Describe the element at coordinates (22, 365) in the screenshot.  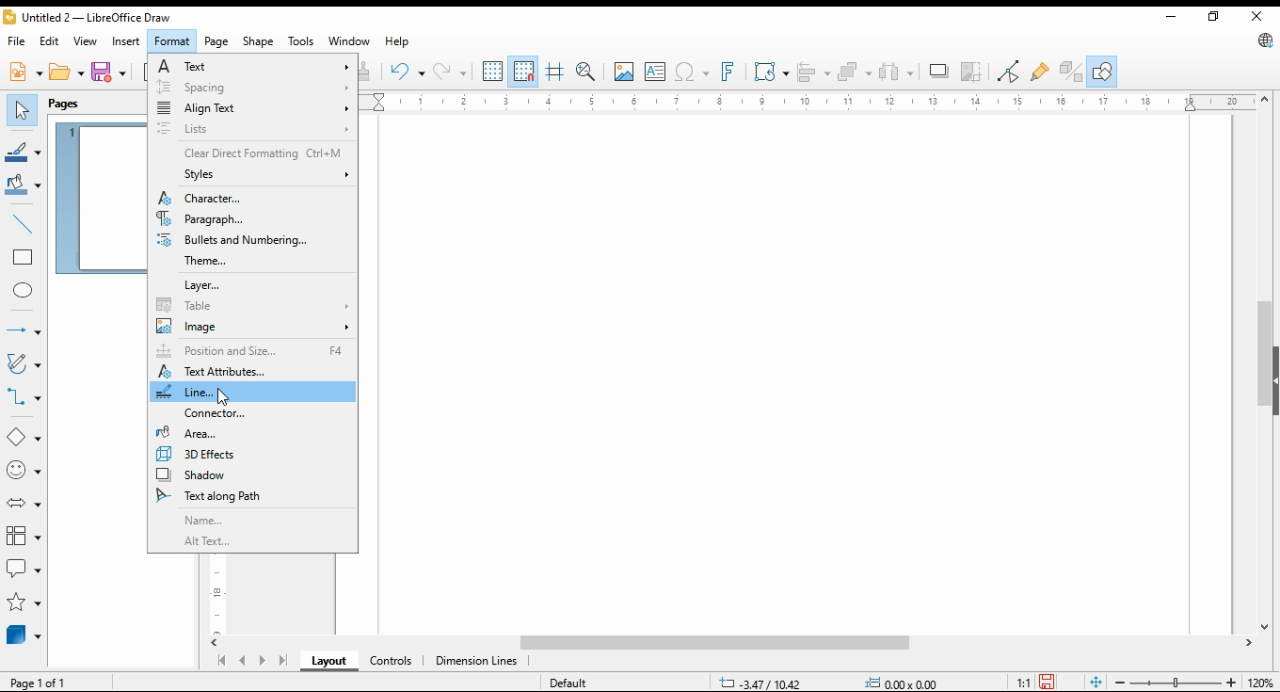
I see `curves and polygons` at that location.